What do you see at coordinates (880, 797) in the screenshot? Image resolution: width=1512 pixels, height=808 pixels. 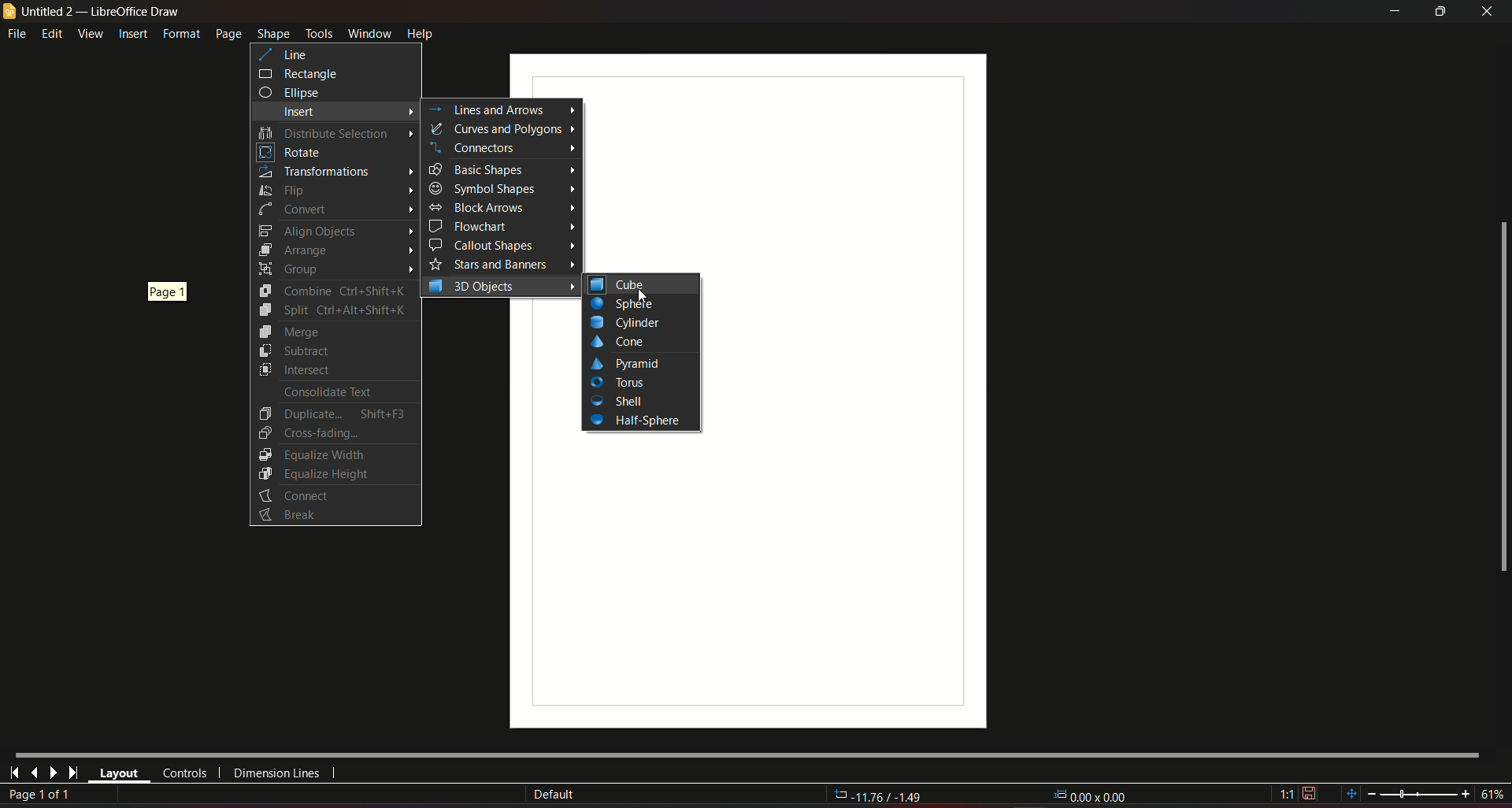 I see `rotation` at bounding box center [880, 797].